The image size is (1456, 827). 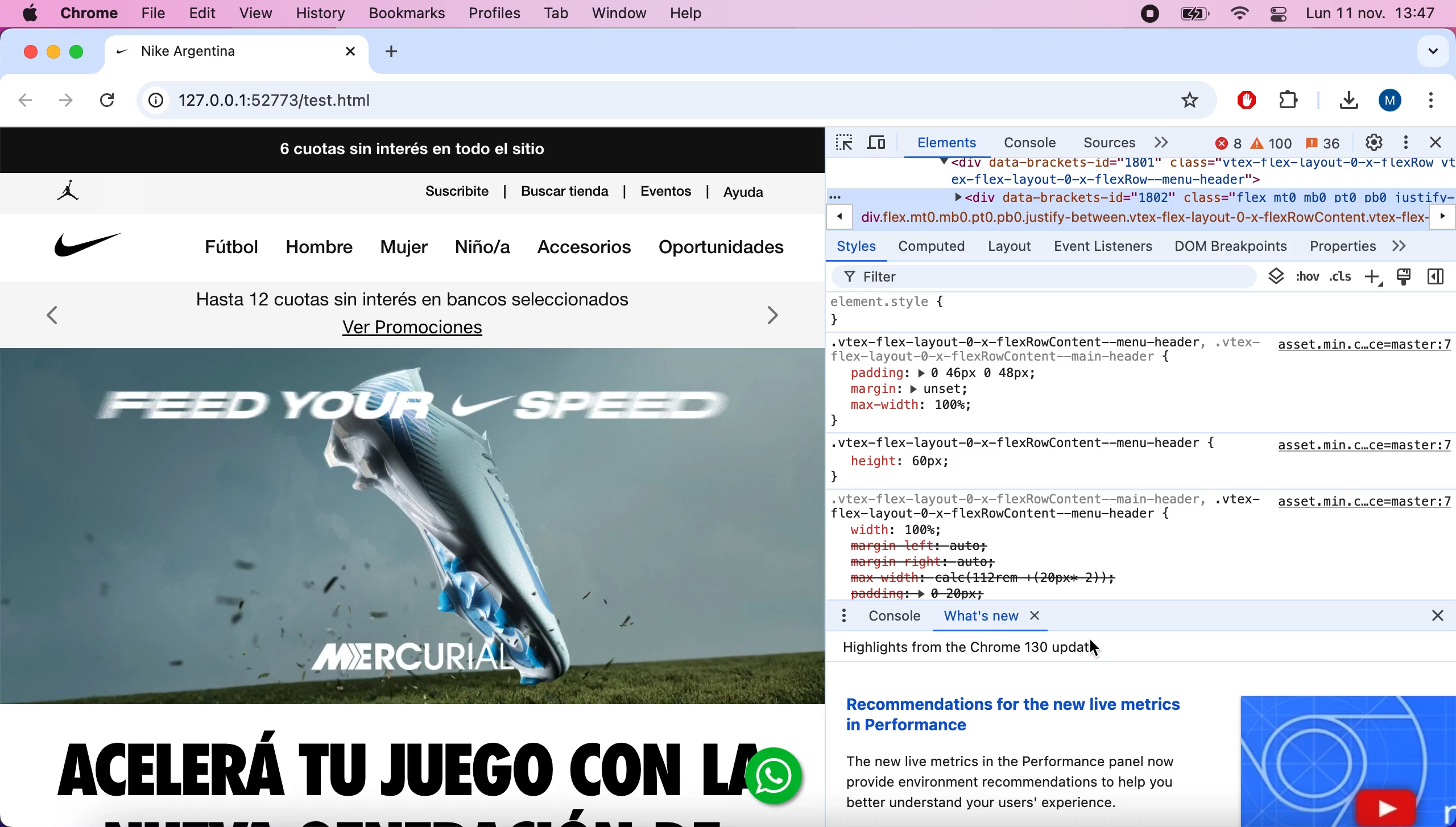 I want to click on edit, so click(x=208, y=13).